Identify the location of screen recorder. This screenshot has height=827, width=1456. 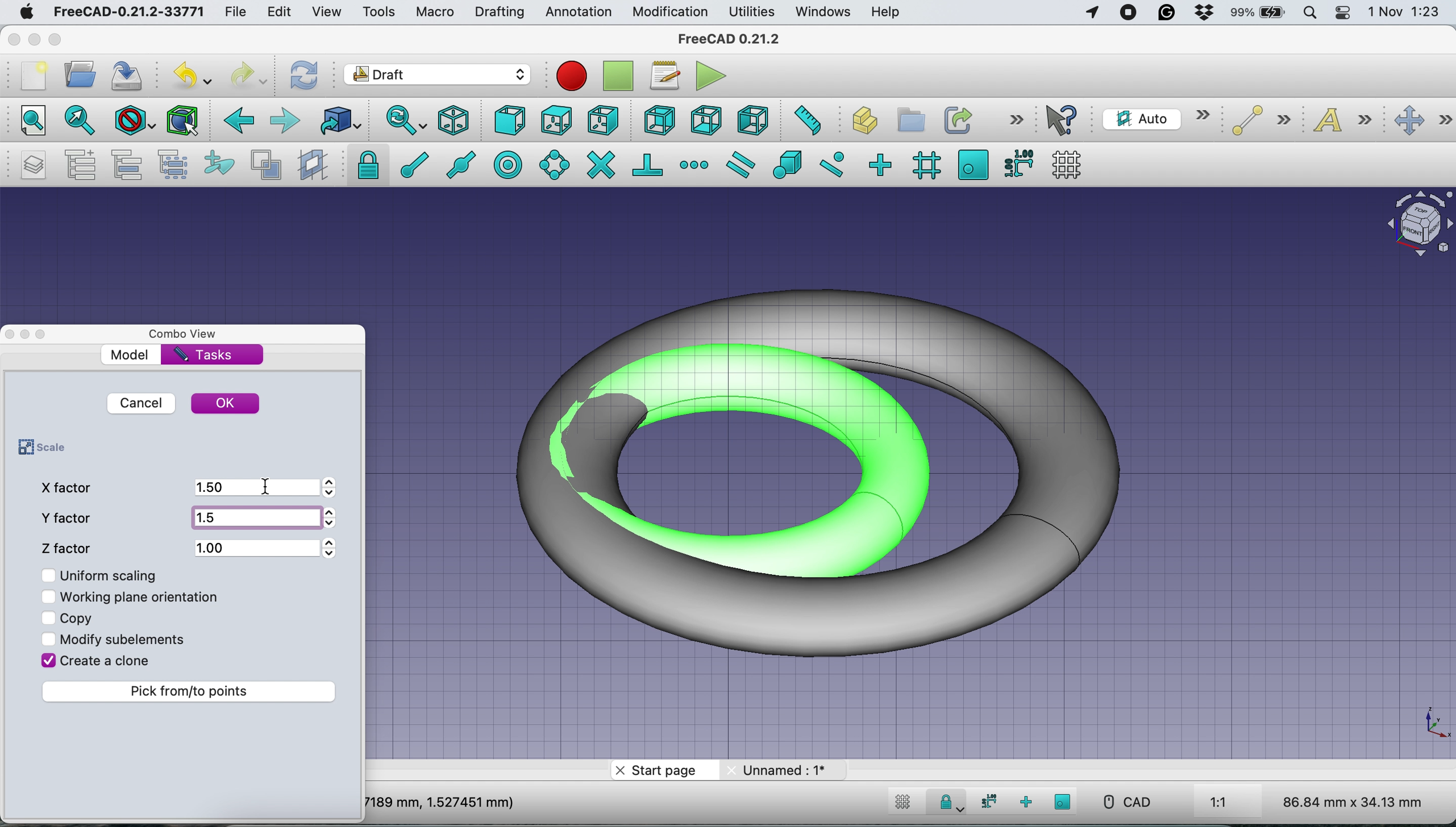
(1129, 15).